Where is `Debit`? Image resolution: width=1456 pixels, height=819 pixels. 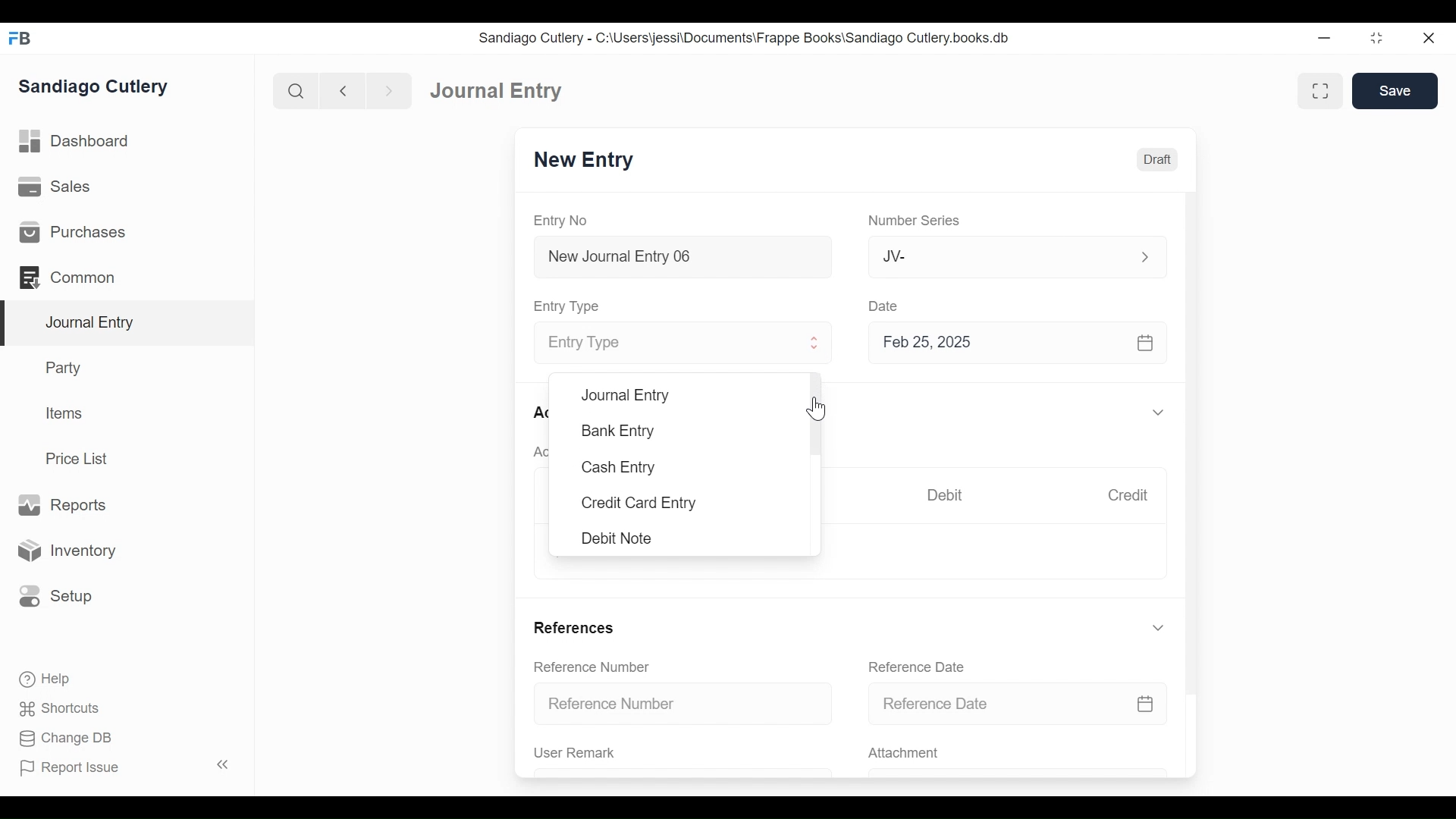
Debit is located at coordinates (945, 495).